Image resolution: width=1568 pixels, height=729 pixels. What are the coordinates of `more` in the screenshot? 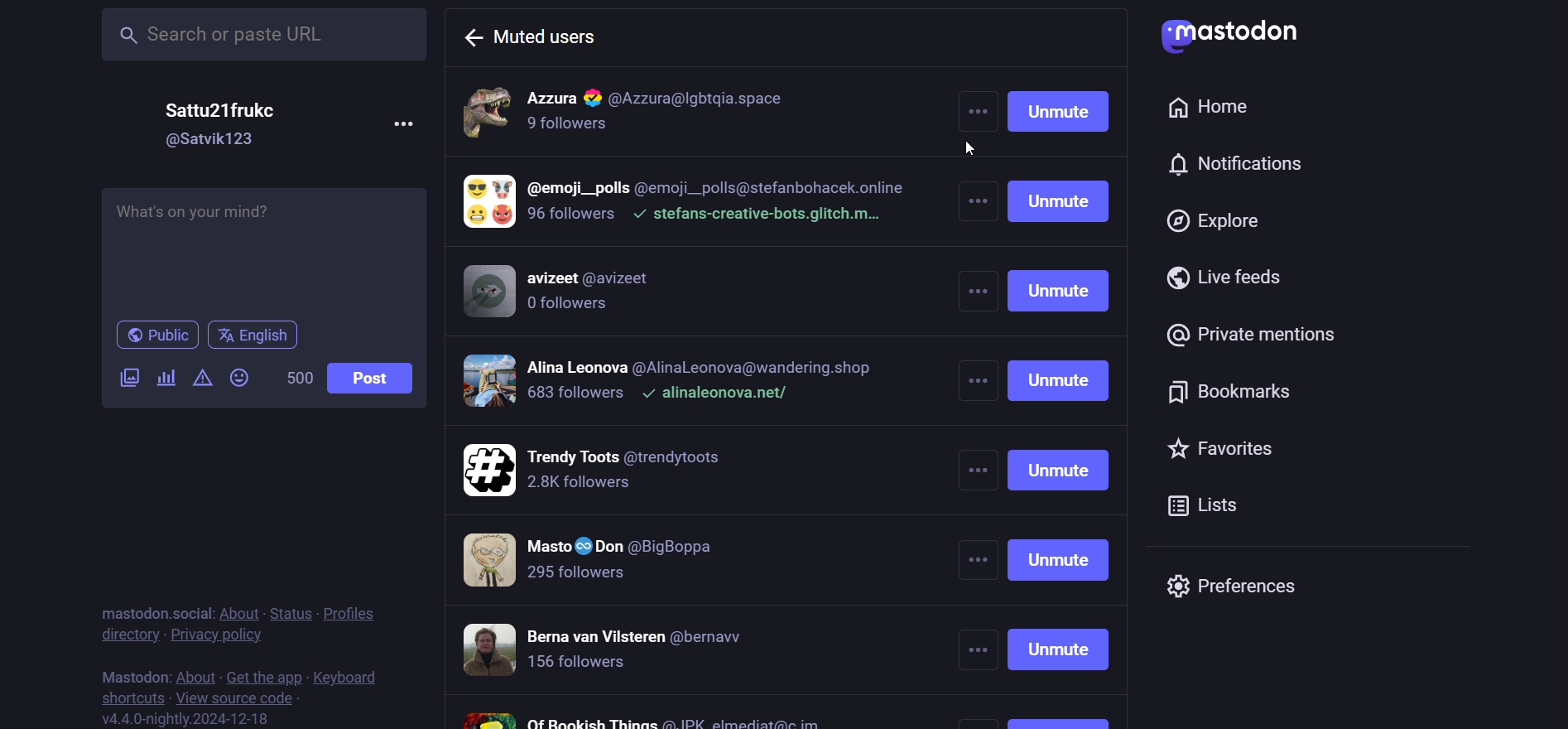 It's located at (406, 125).